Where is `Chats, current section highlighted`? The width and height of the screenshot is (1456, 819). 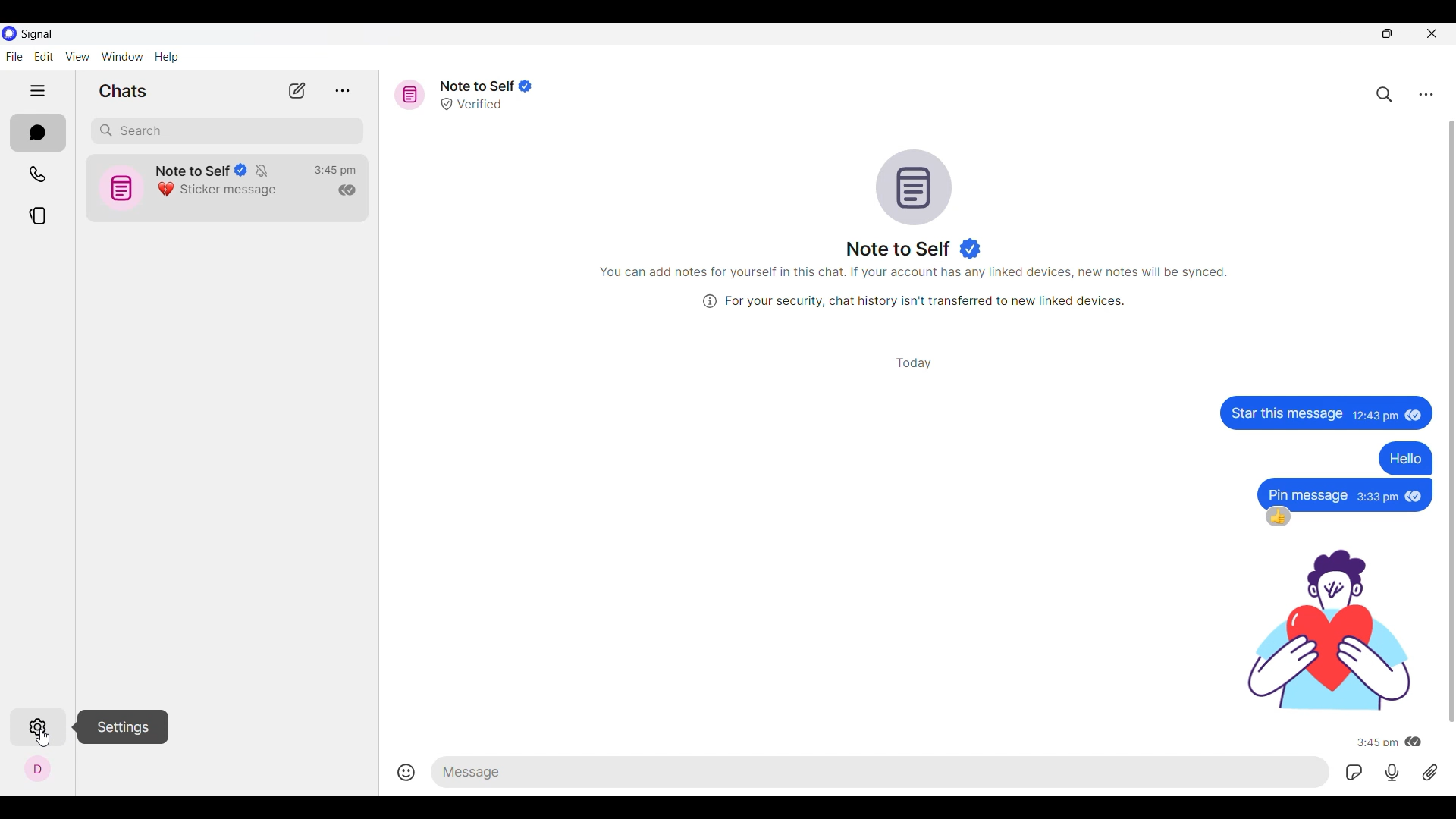
Chats, current section highlighted is located at coordinates (39, 133).